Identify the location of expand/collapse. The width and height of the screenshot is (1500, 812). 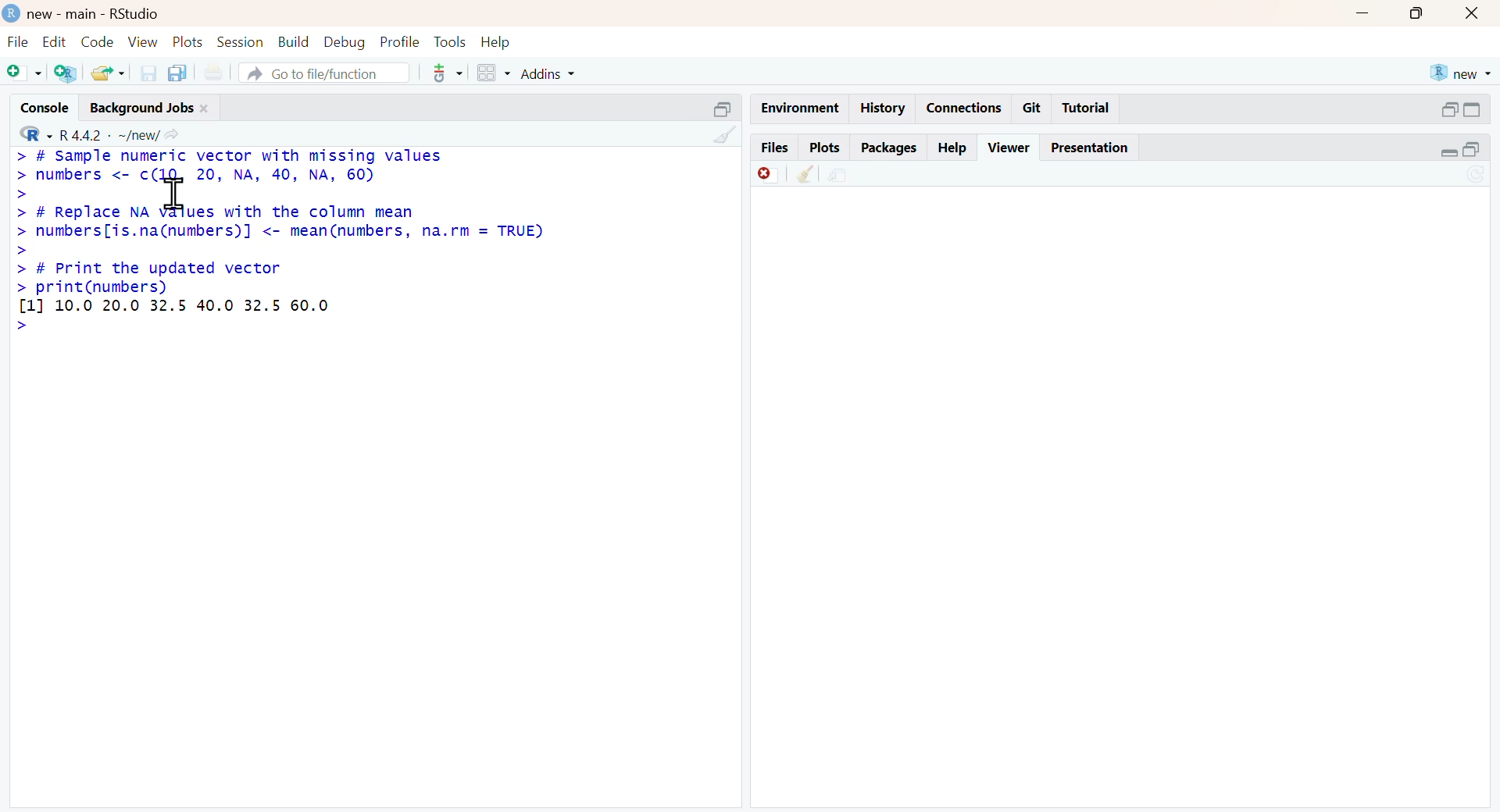
(1472, 109).